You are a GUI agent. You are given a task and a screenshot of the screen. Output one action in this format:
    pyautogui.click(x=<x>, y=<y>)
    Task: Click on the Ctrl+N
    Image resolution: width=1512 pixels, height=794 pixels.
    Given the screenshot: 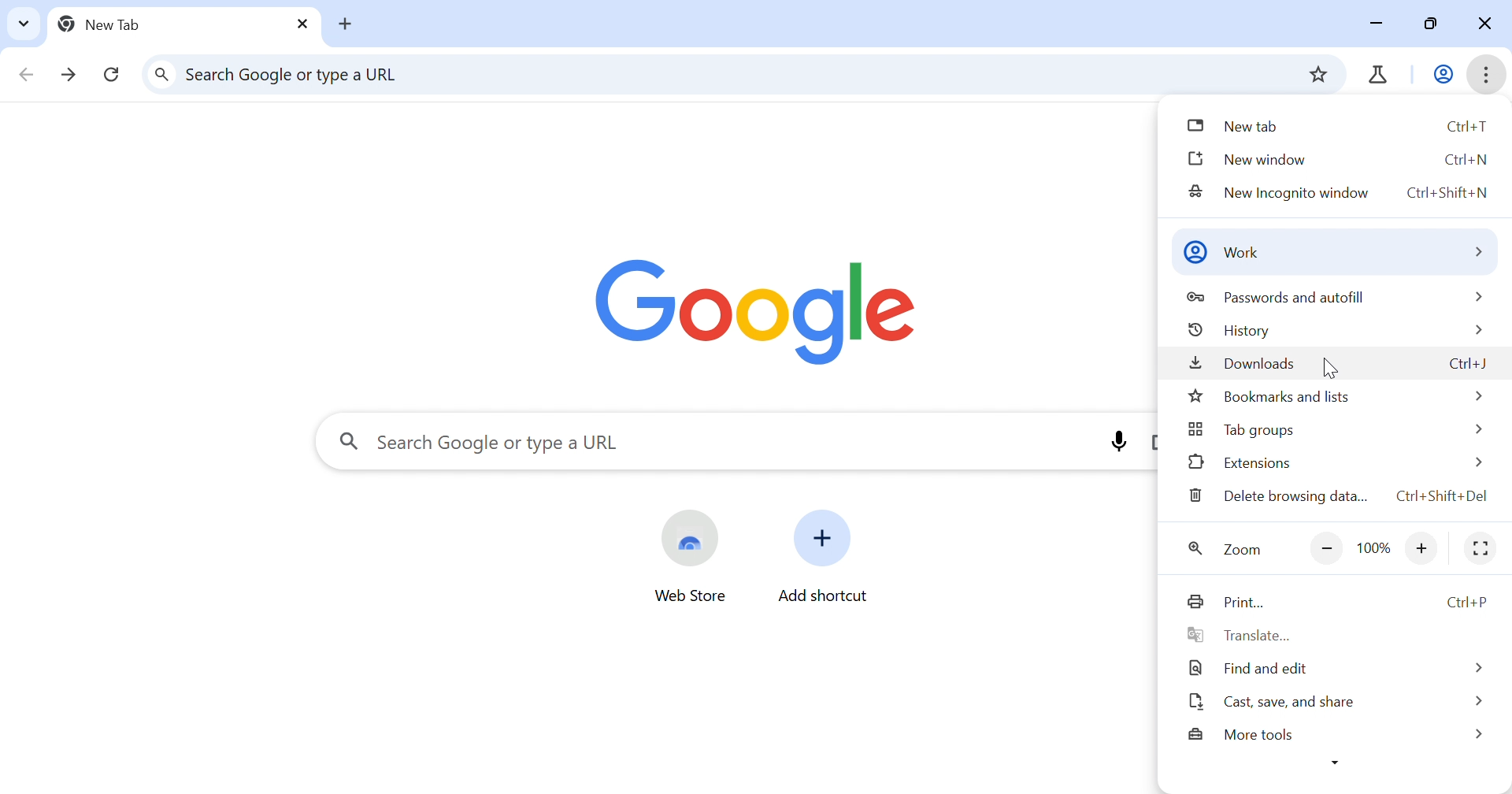 What is the action you would take?
    pyautogui.click(x=1469, y=160)
    